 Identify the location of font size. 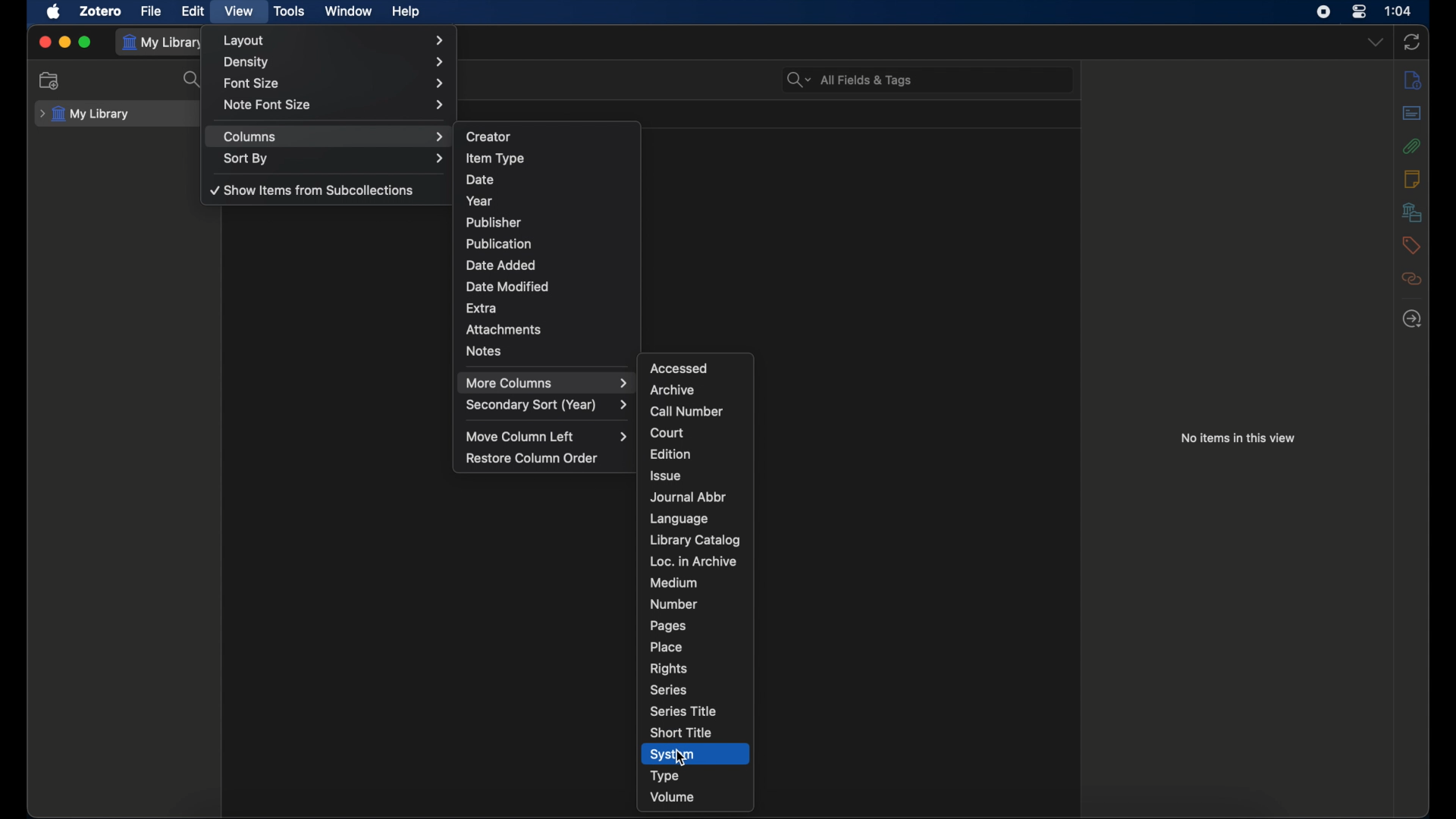
(335, 84).